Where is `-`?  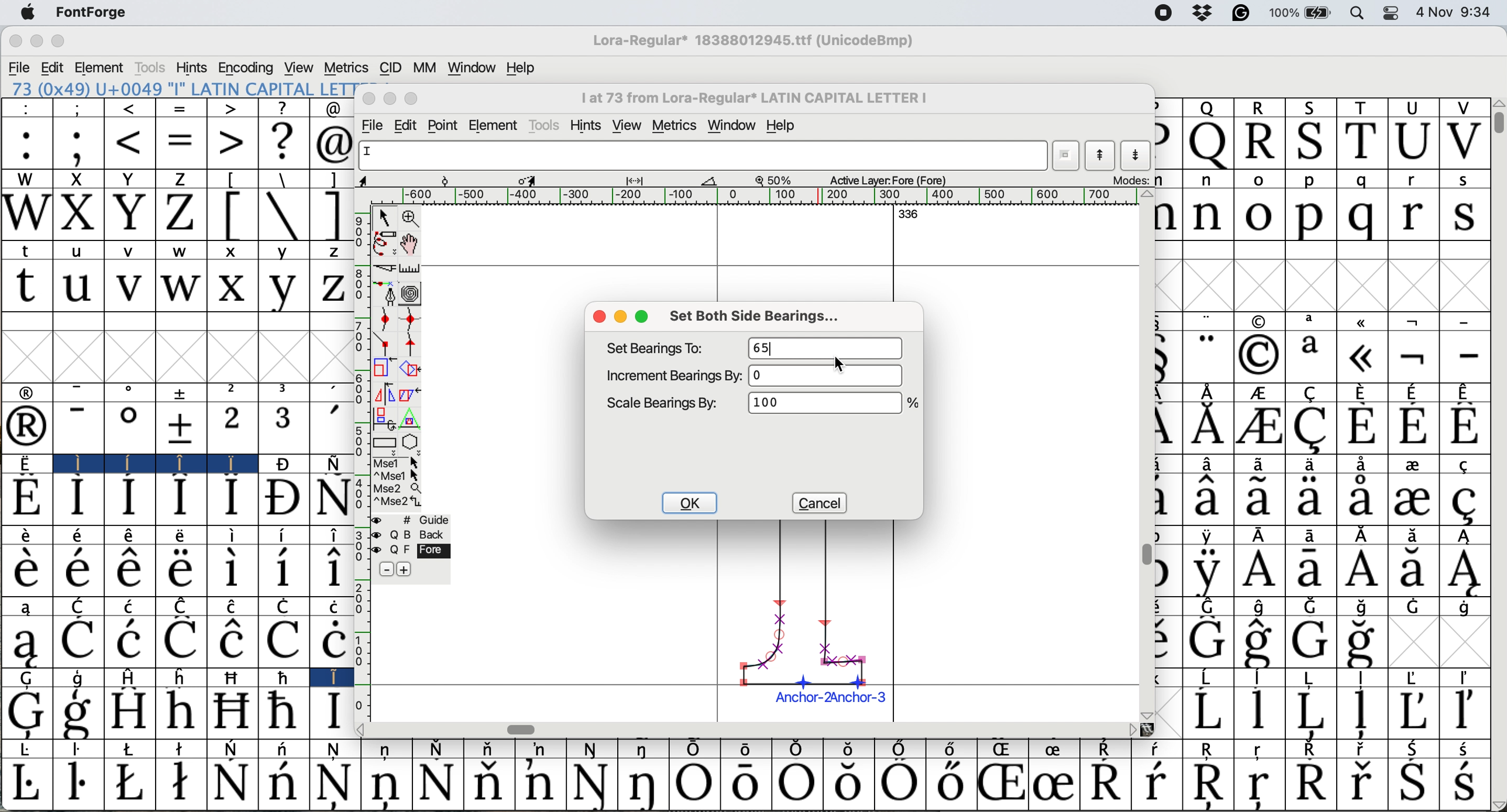 - is located at coordinates (78, 428).